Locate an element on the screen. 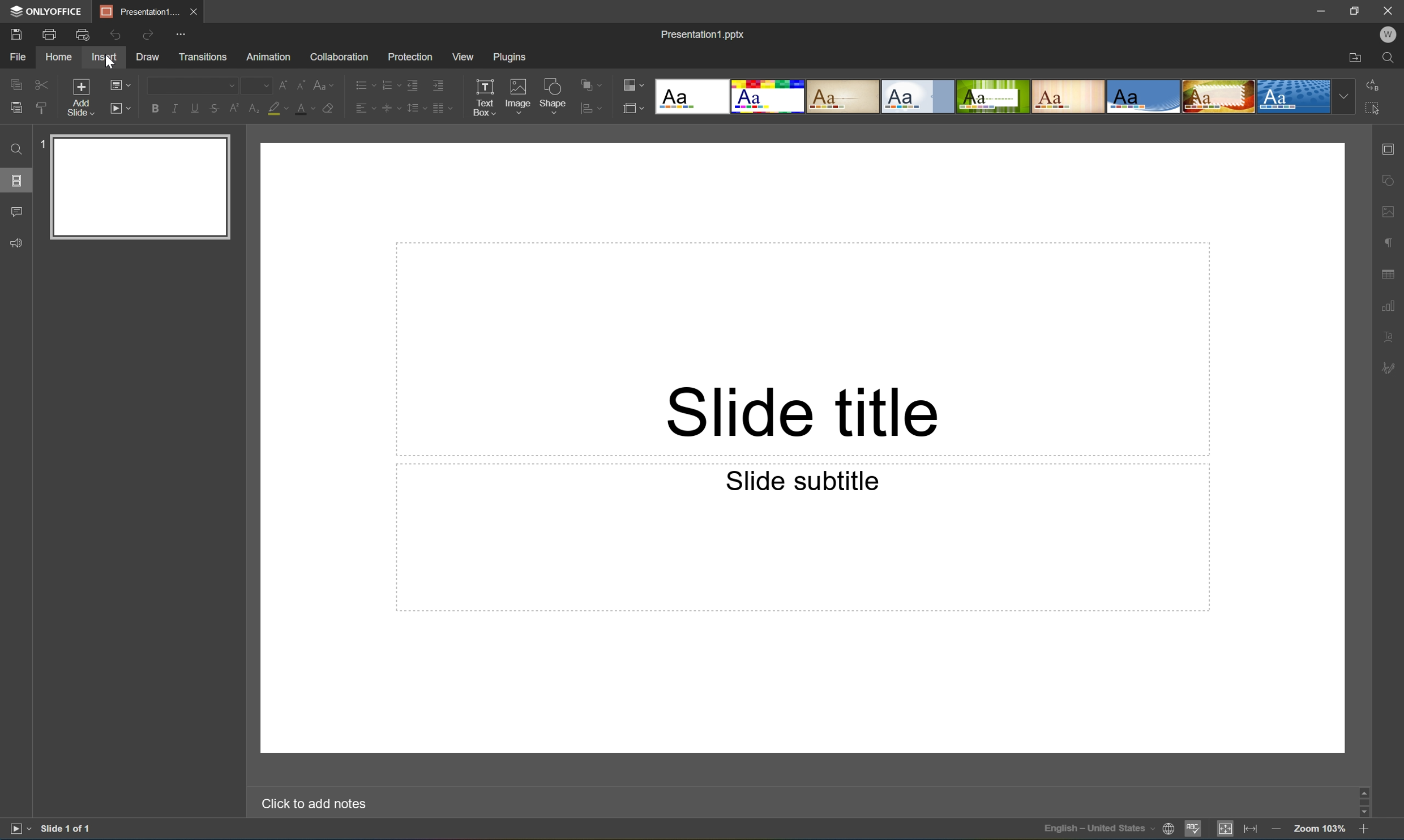 The image size is (1404, 840). Spell checking is located at coordinates (1193, 830).